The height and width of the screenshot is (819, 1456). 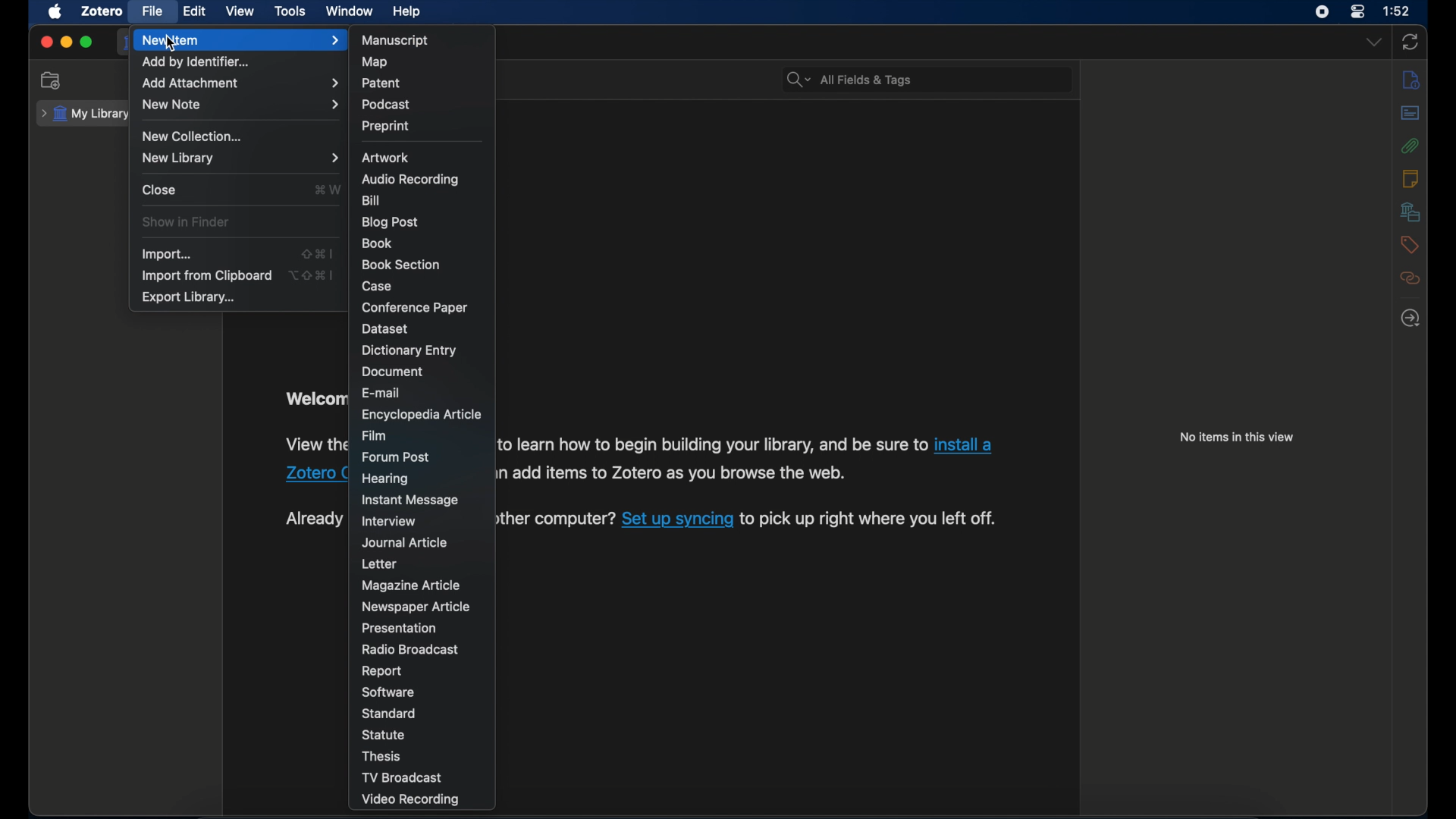 I want to click on file, so click(x=152, y=11).